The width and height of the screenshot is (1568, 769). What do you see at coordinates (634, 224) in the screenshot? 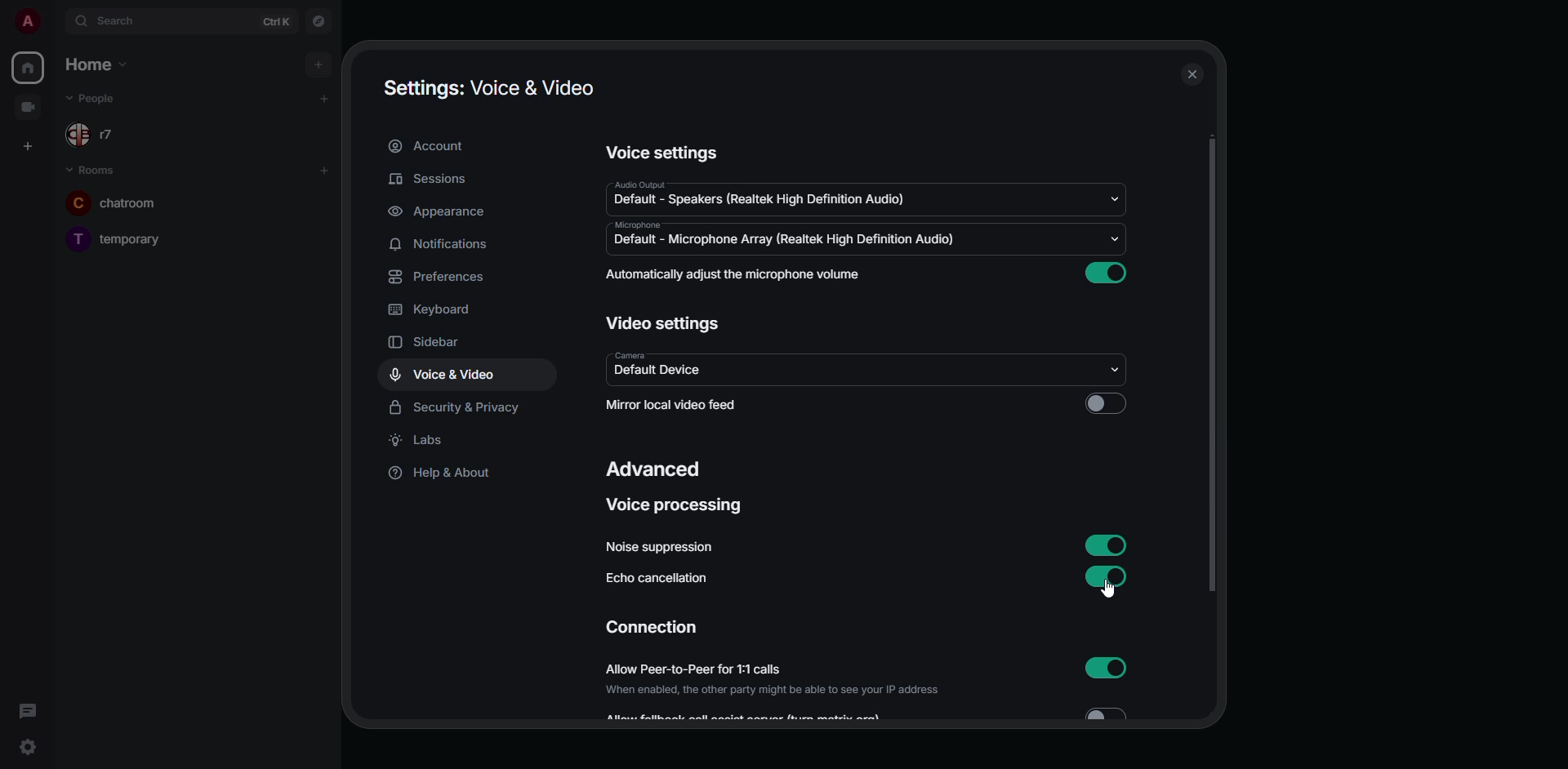
I see `microphone` at bounding box center [634, 224].